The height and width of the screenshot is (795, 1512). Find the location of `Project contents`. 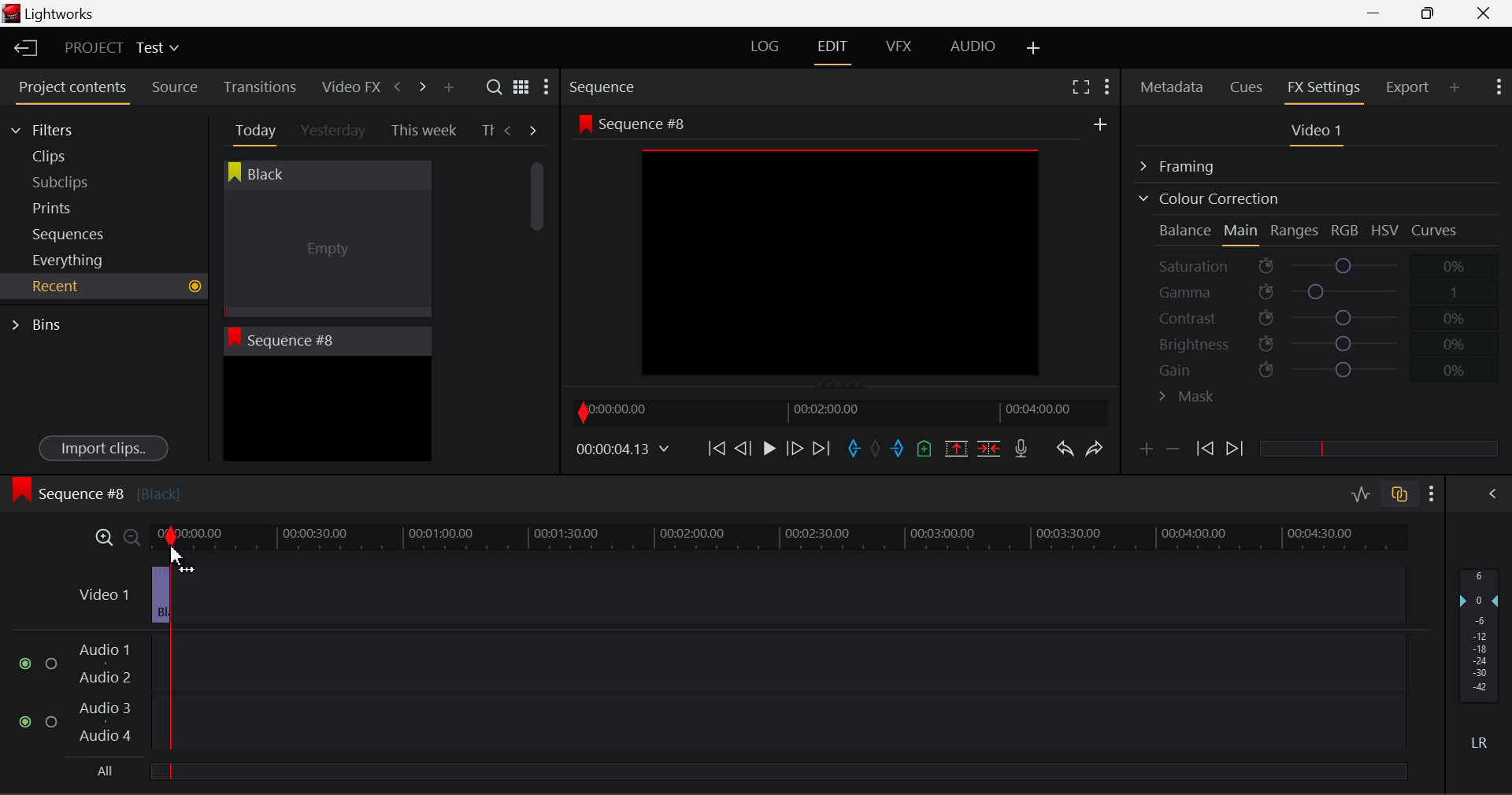

Project contents is located at coordinates (72, 91).